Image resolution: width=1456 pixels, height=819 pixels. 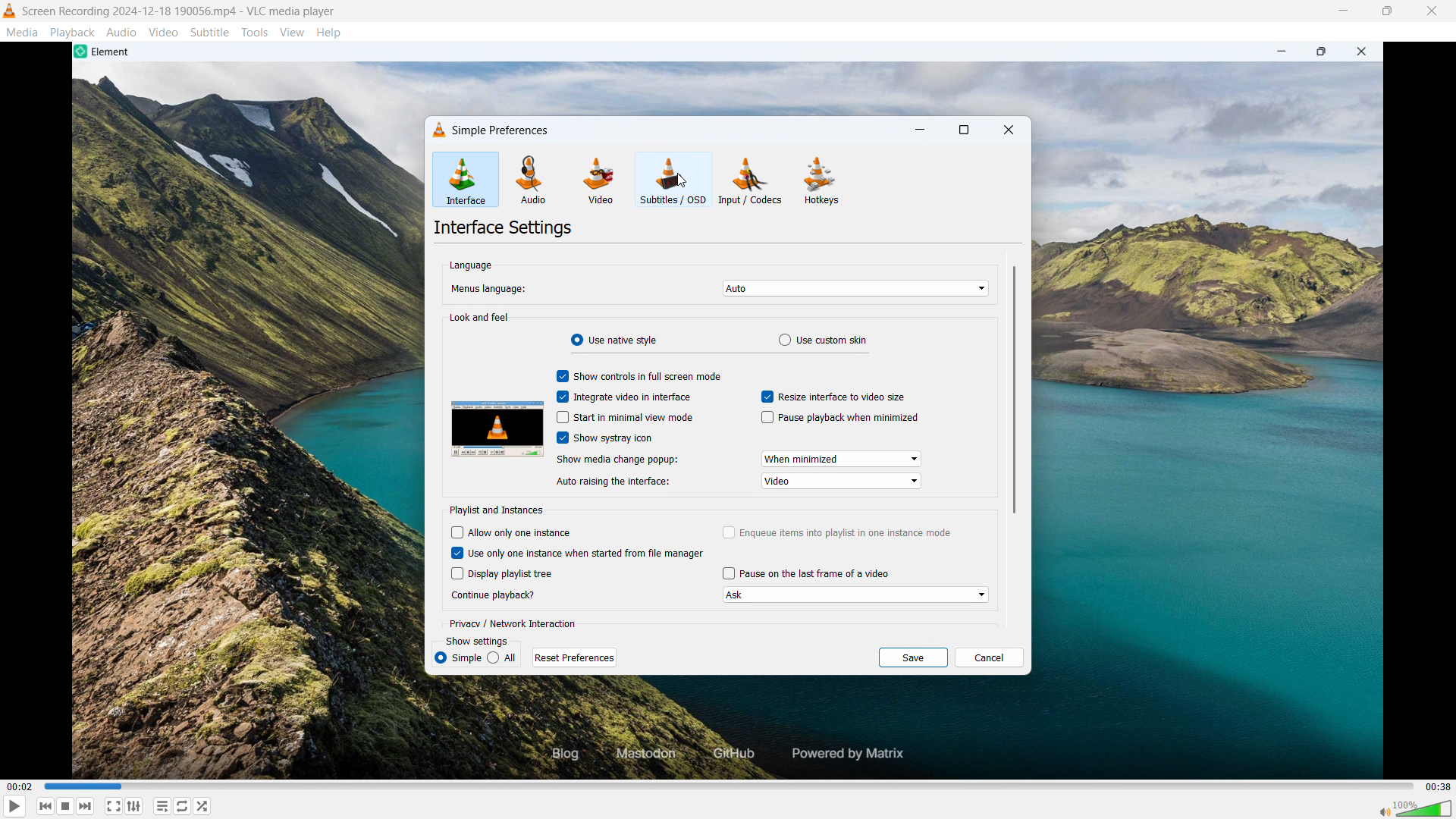 I want to click on logo, so click(x=10, y=11).